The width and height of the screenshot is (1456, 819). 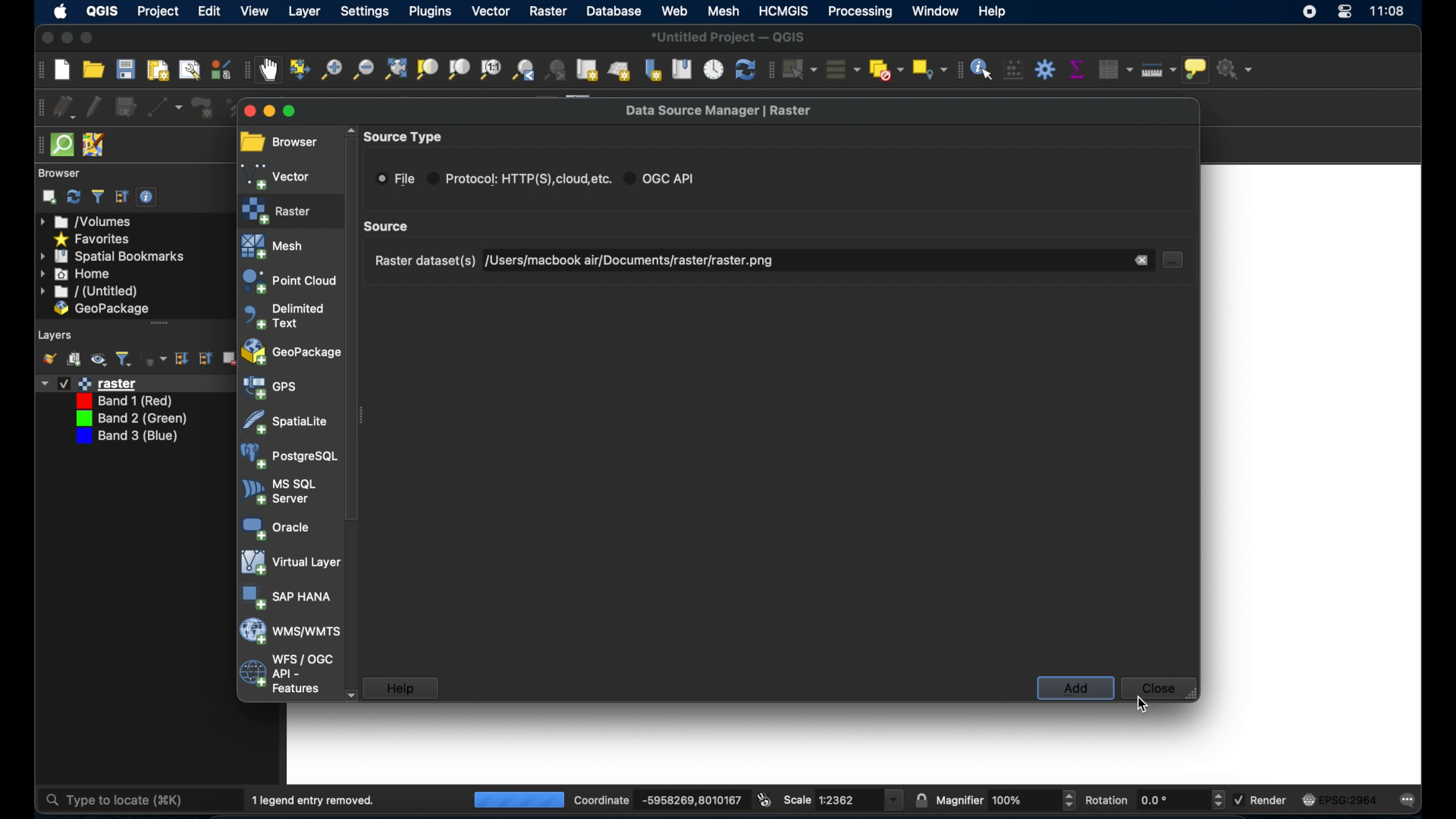 What do you see at coordinates (557, 69) in the screenshot?
I see `zoom next` at bounding box center [557, 69].